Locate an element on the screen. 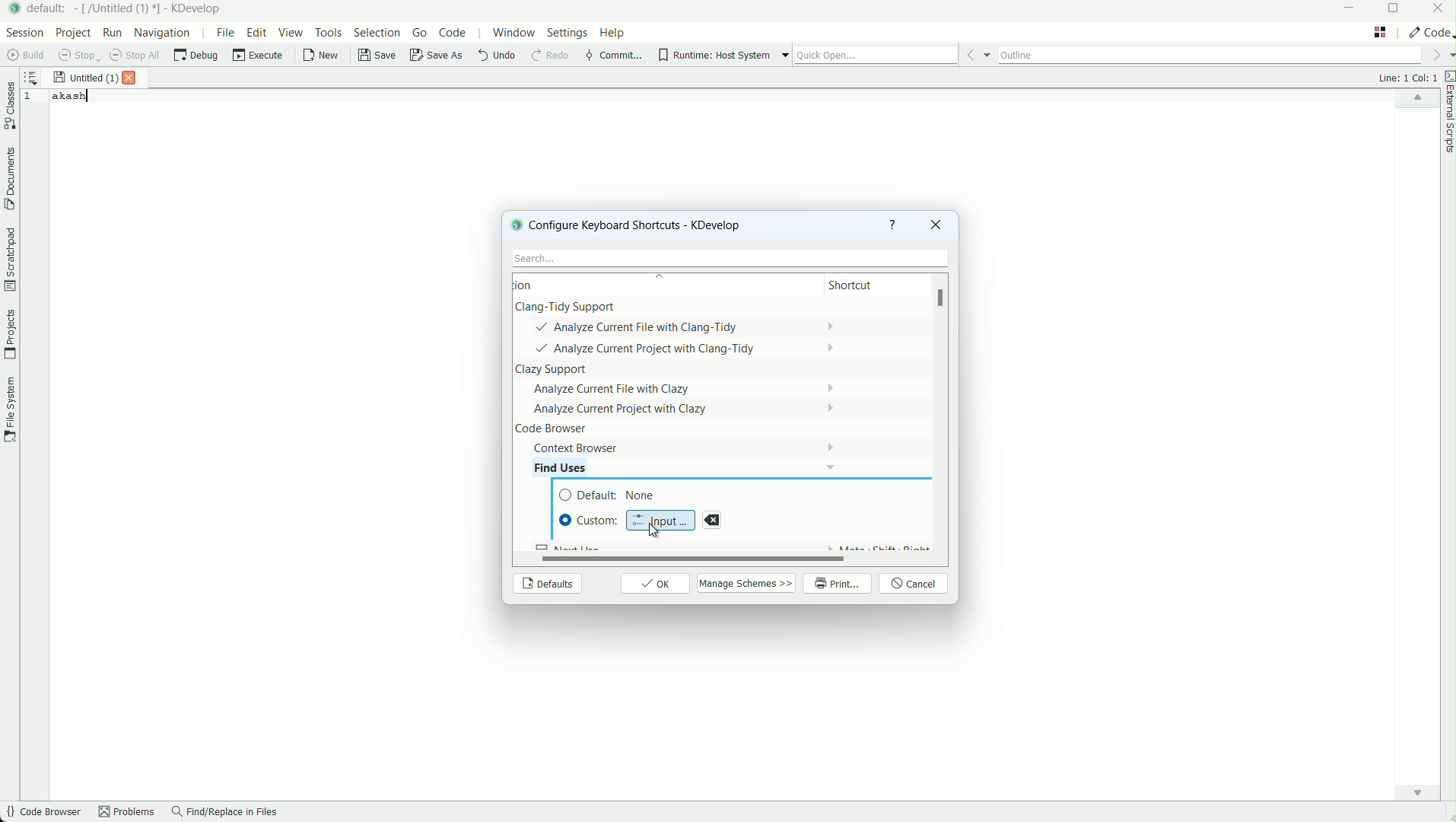 Image resolution: width=1456 pixels, height=822 pixels. line number is located at coordinates (31, 97).